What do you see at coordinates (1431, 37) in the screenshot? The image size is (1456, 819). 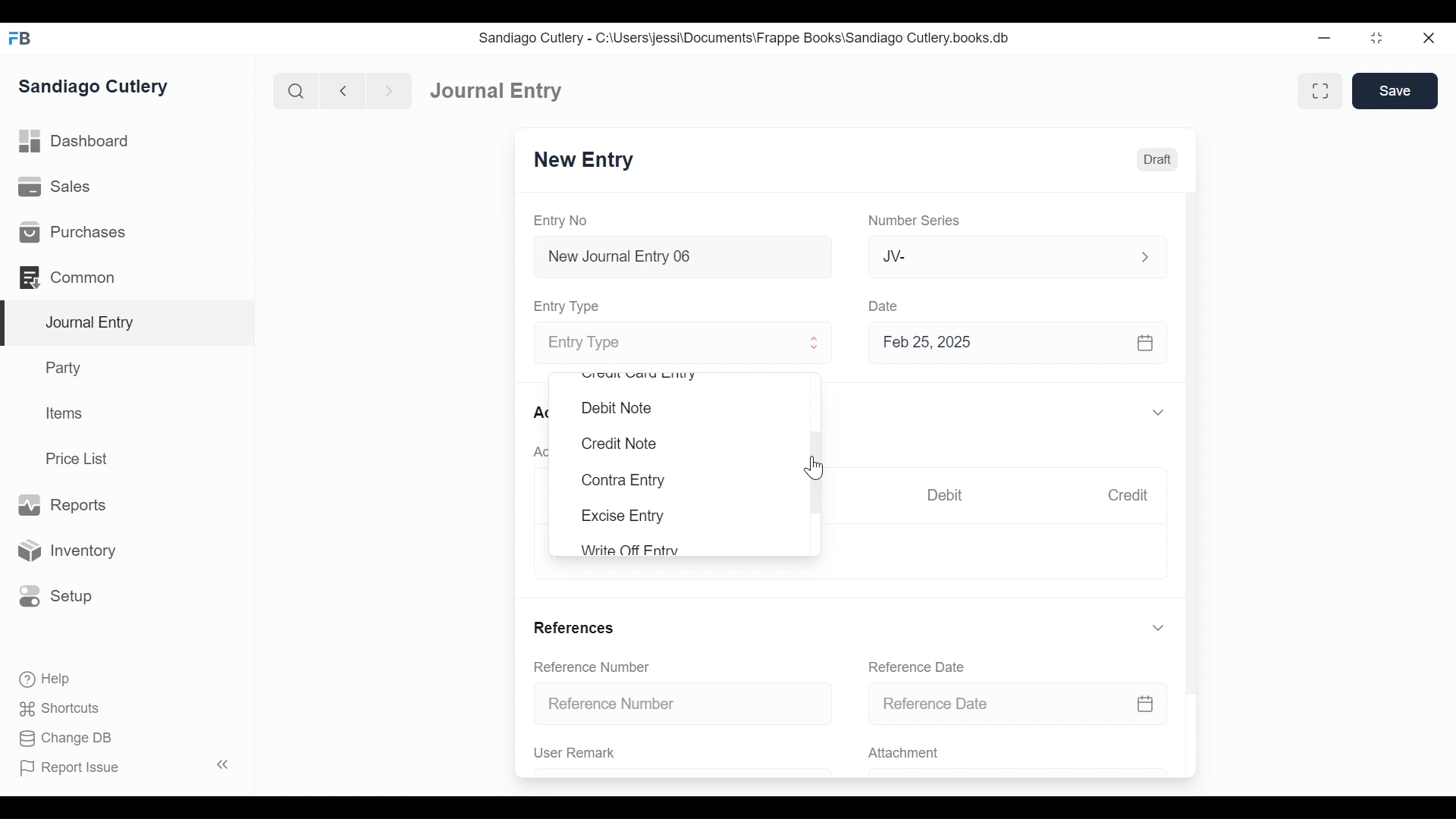 I see `Close` at bounding box center [1431, 37].